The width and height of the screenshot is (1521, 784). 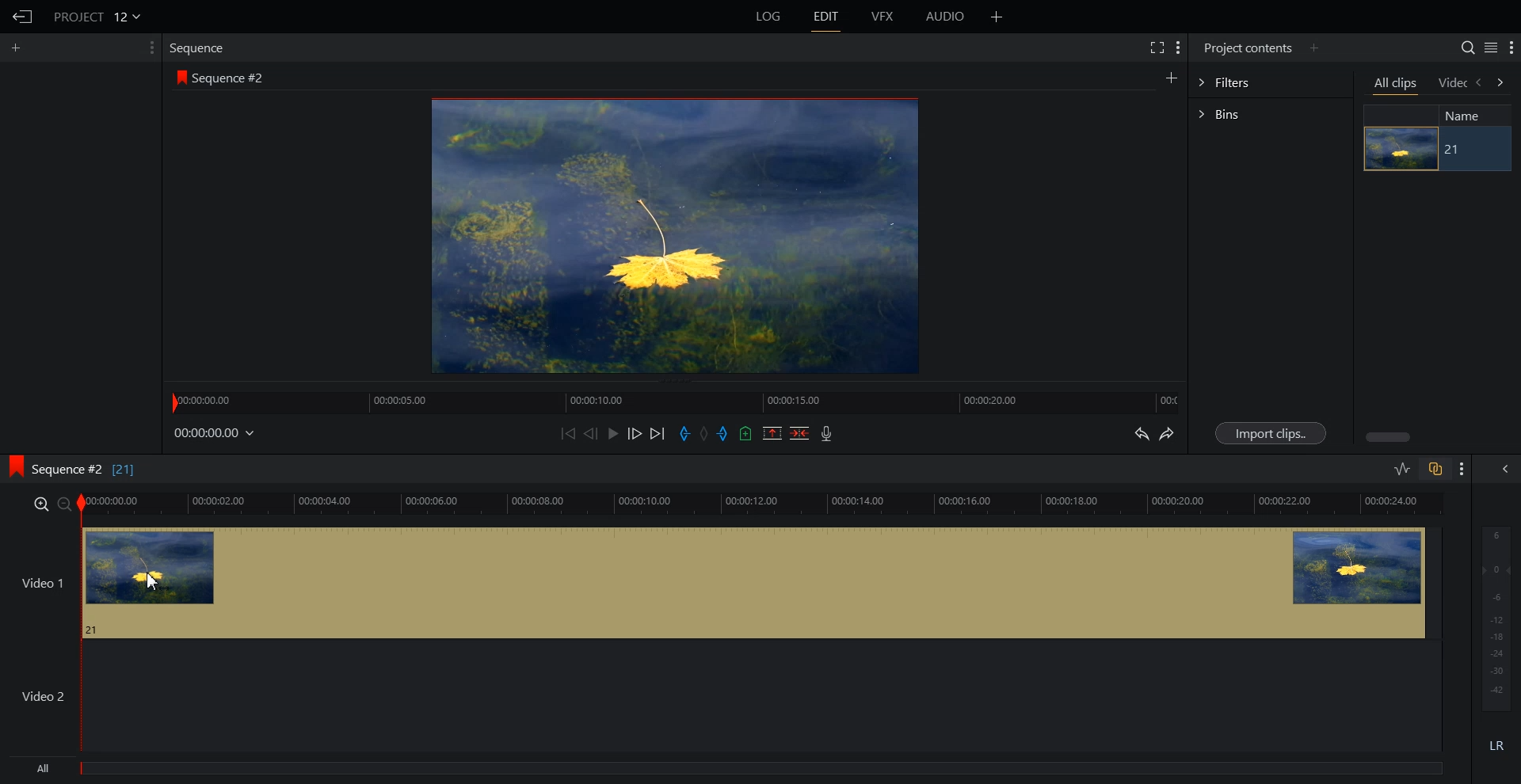 What do you see at coordinates (1401, 149) in the screenshot?
I see `image` at bounding box center [1401, 149].